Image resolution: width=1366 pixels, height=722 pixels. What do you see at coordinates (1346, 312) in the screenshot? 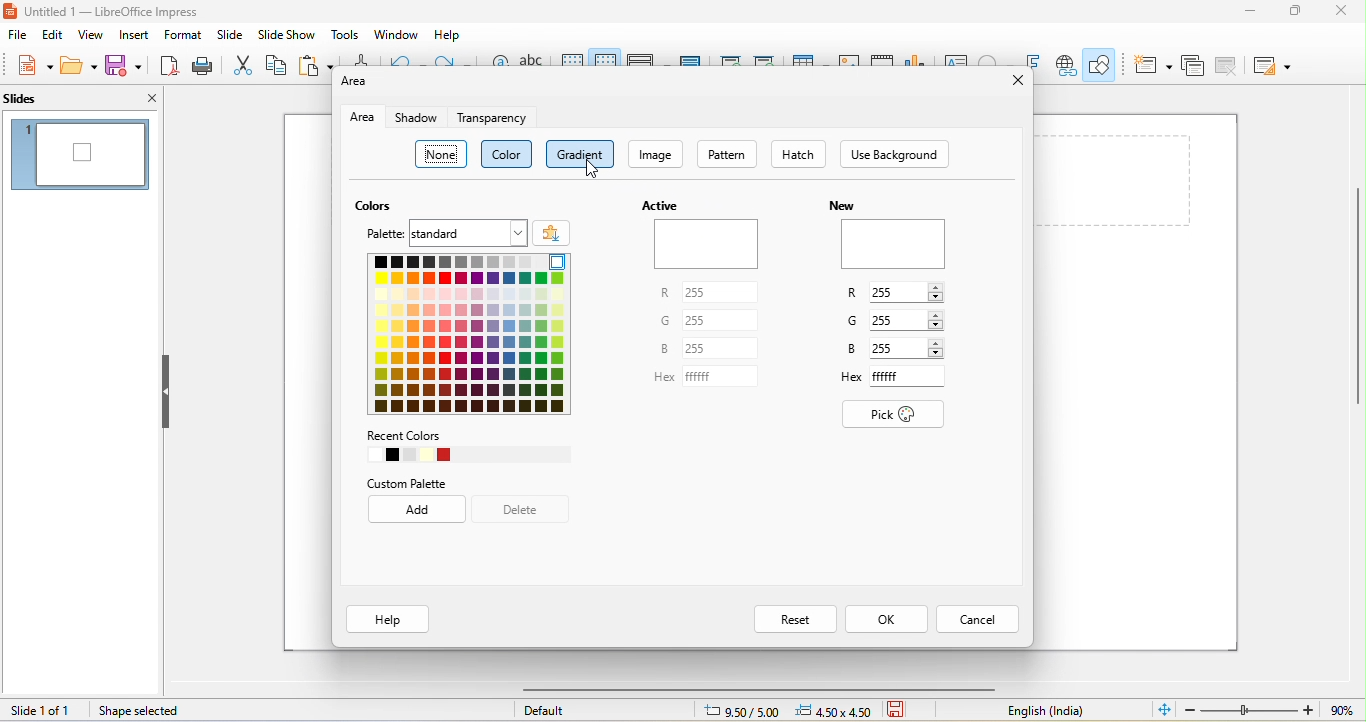
I see `vertical scroll` at bounding box center [1346, 312].